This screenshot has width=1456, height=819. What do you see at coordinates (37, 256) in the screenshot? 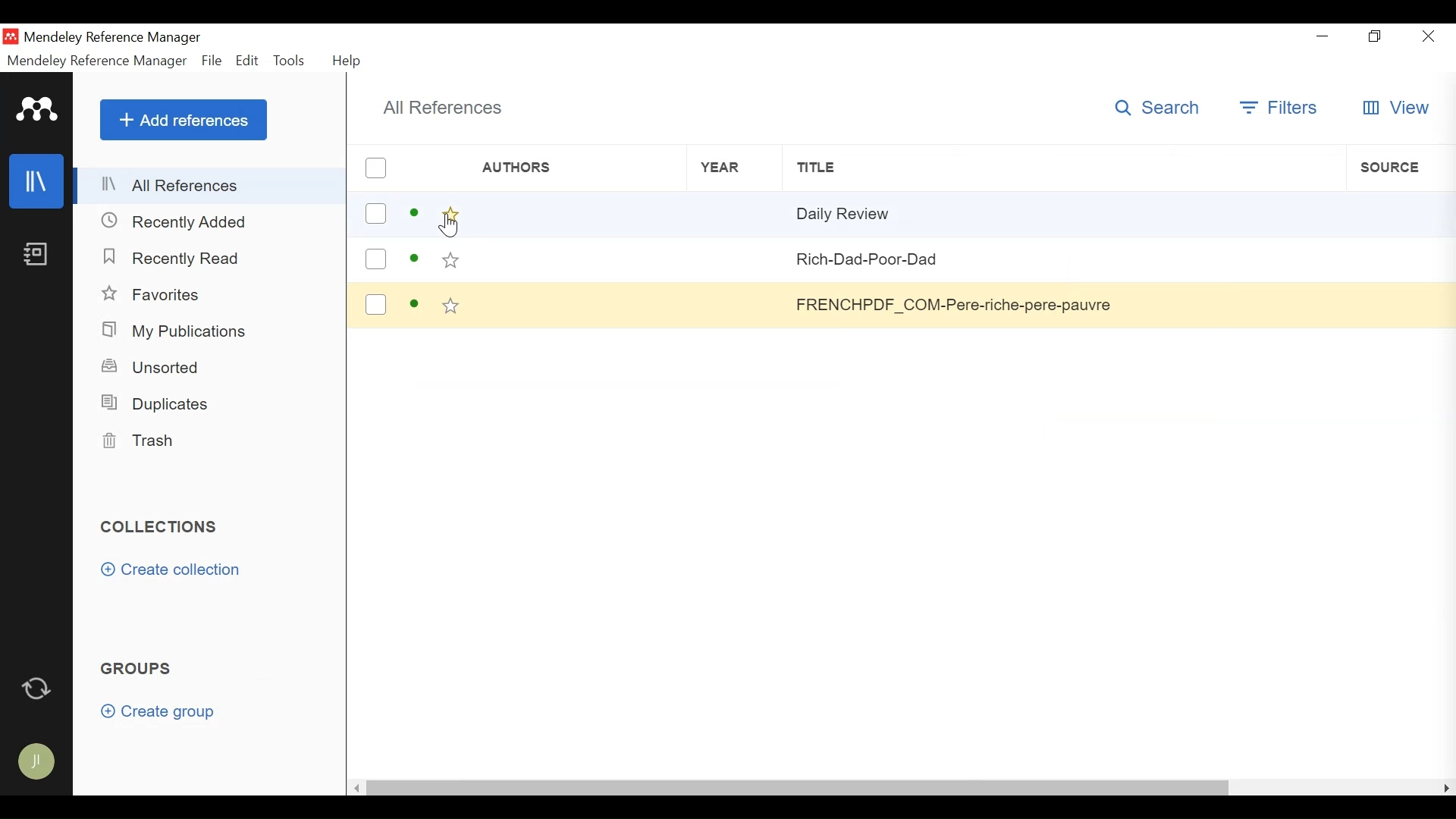
I see `Notebook` at bounding box center [37, 256].